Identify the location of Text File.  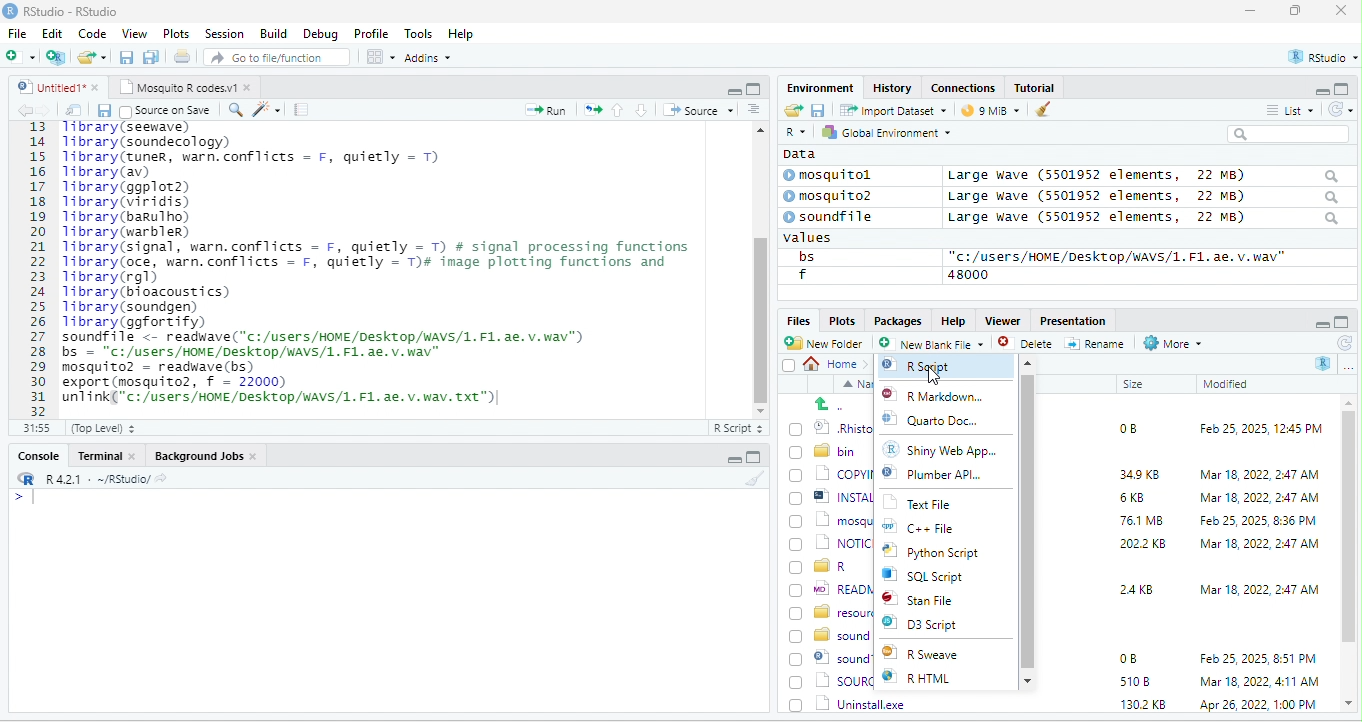
(929, 504).